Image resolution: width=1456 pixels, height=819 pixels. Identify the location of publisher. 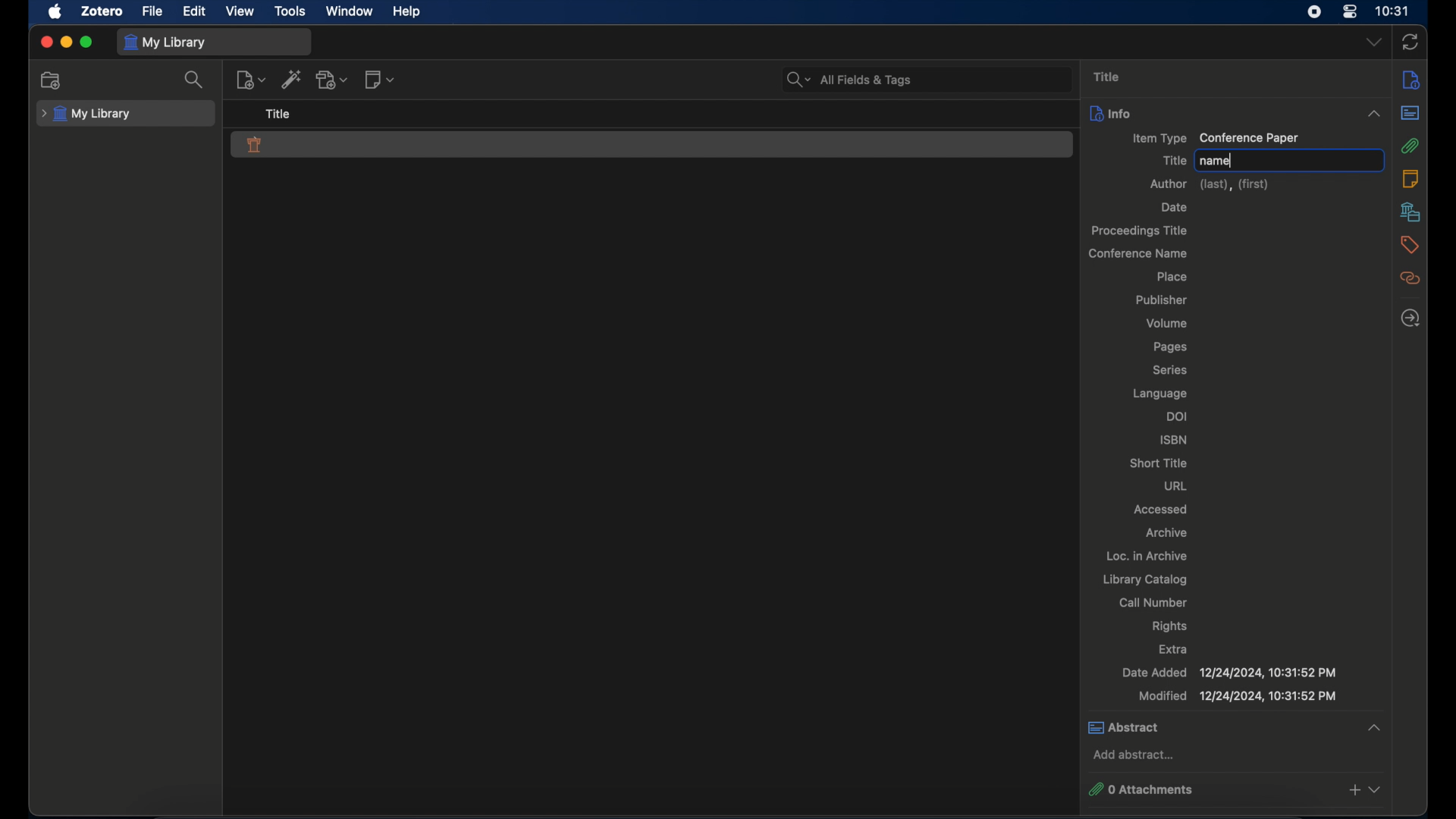
(1162, 300).